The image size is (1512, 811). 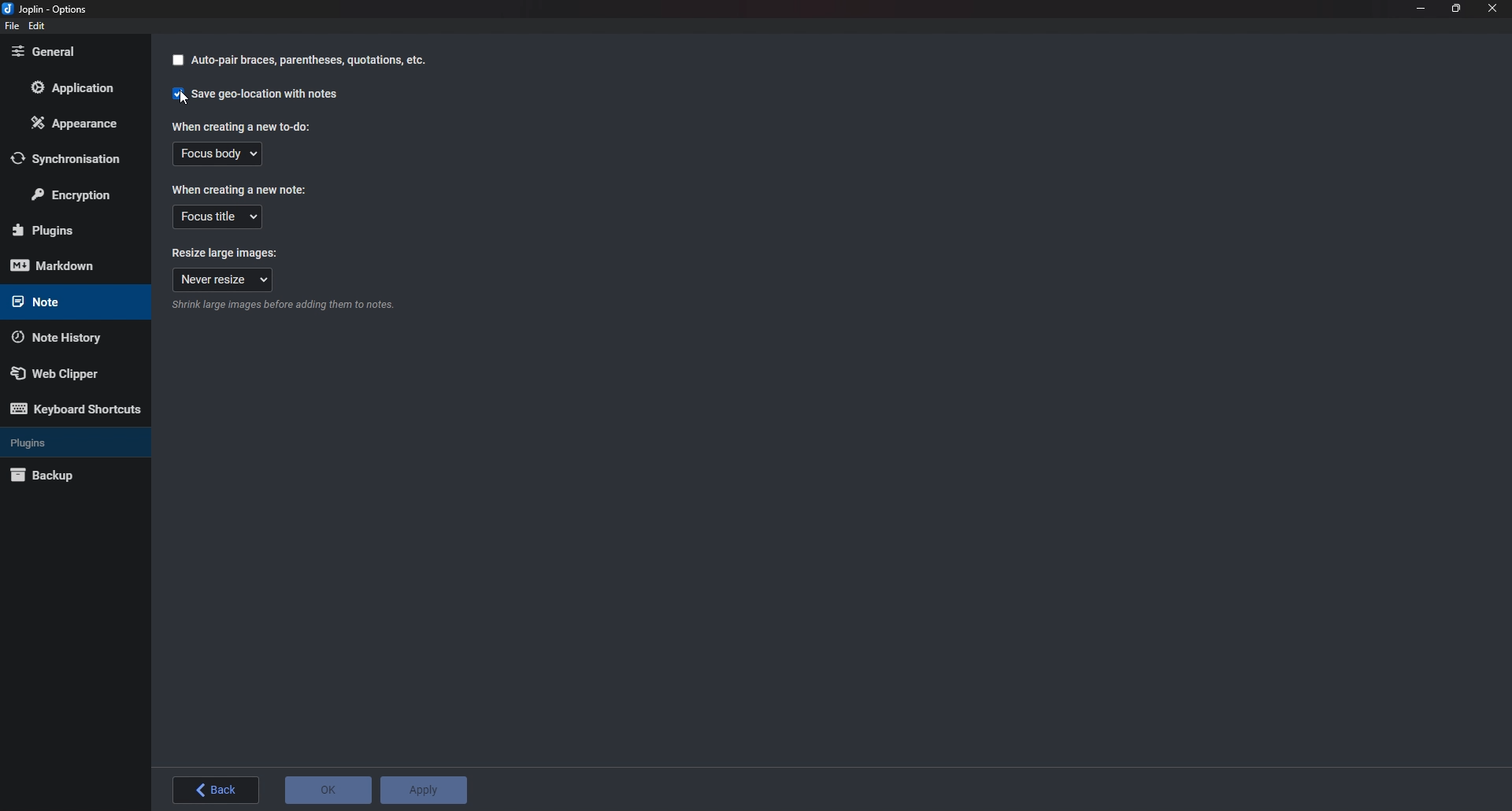 What do you see at coordinates (241, 190) in the screenshot?
I see `When creating a new note` at bounding box center [241, 190].